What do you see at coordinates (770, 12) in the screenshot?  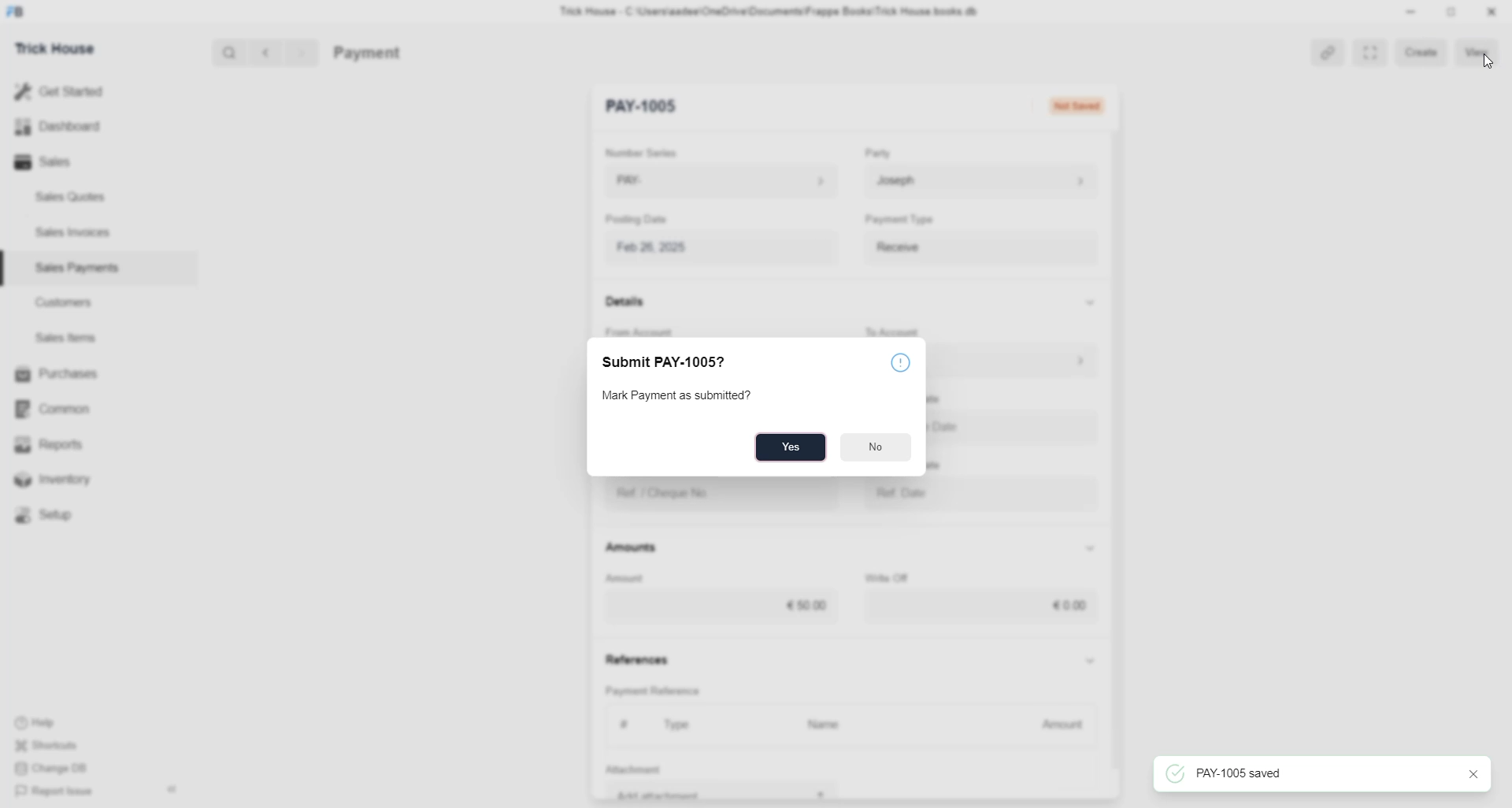 I see `Trick House - C:\Users\aadee\OneDrive\Documents\Frappe Books\Trick House books db` at bounding box center [770, 12].